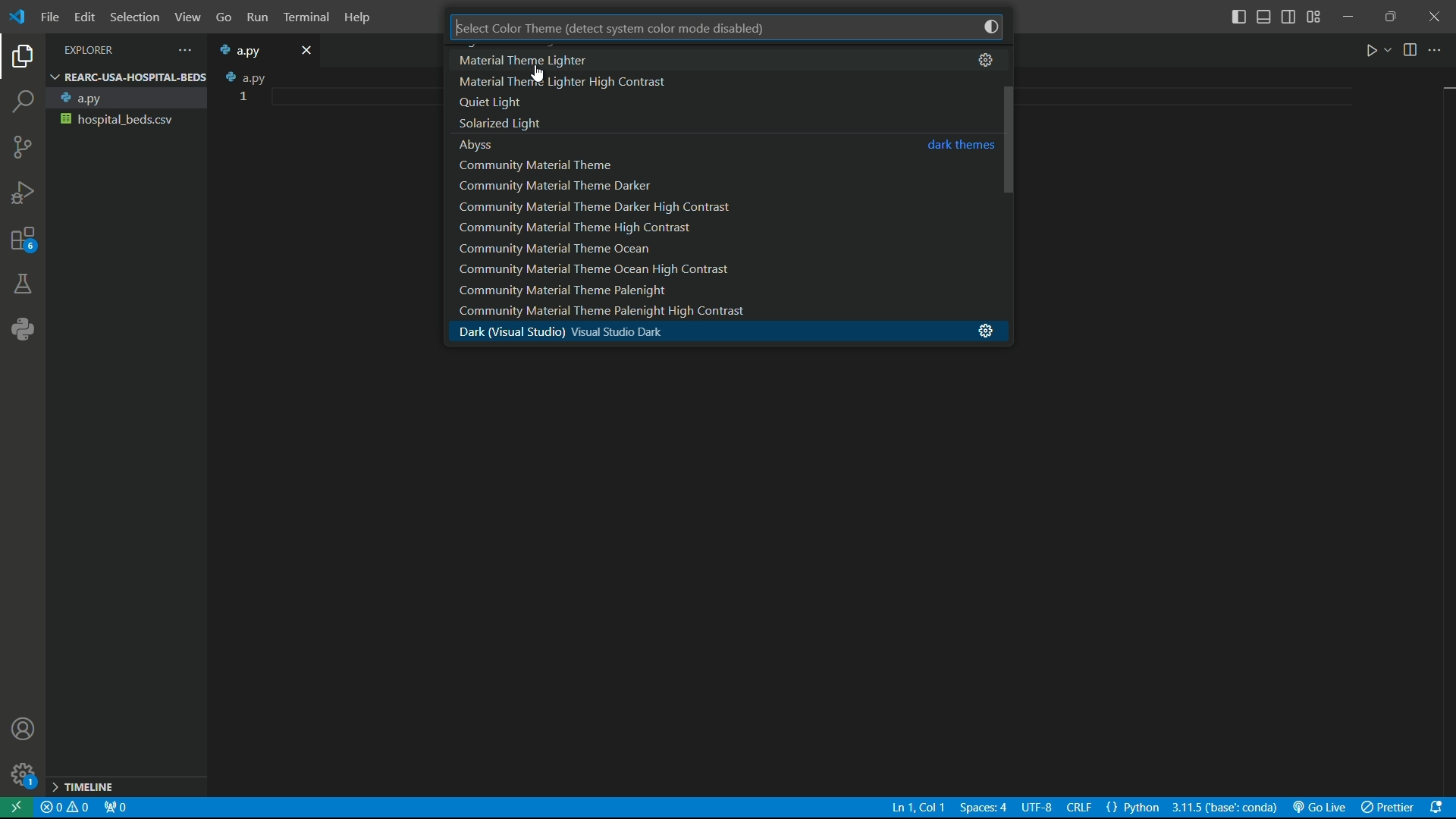  Describe the element at coordinates (20, 18) in the screenshot. I see `logo` at that location.